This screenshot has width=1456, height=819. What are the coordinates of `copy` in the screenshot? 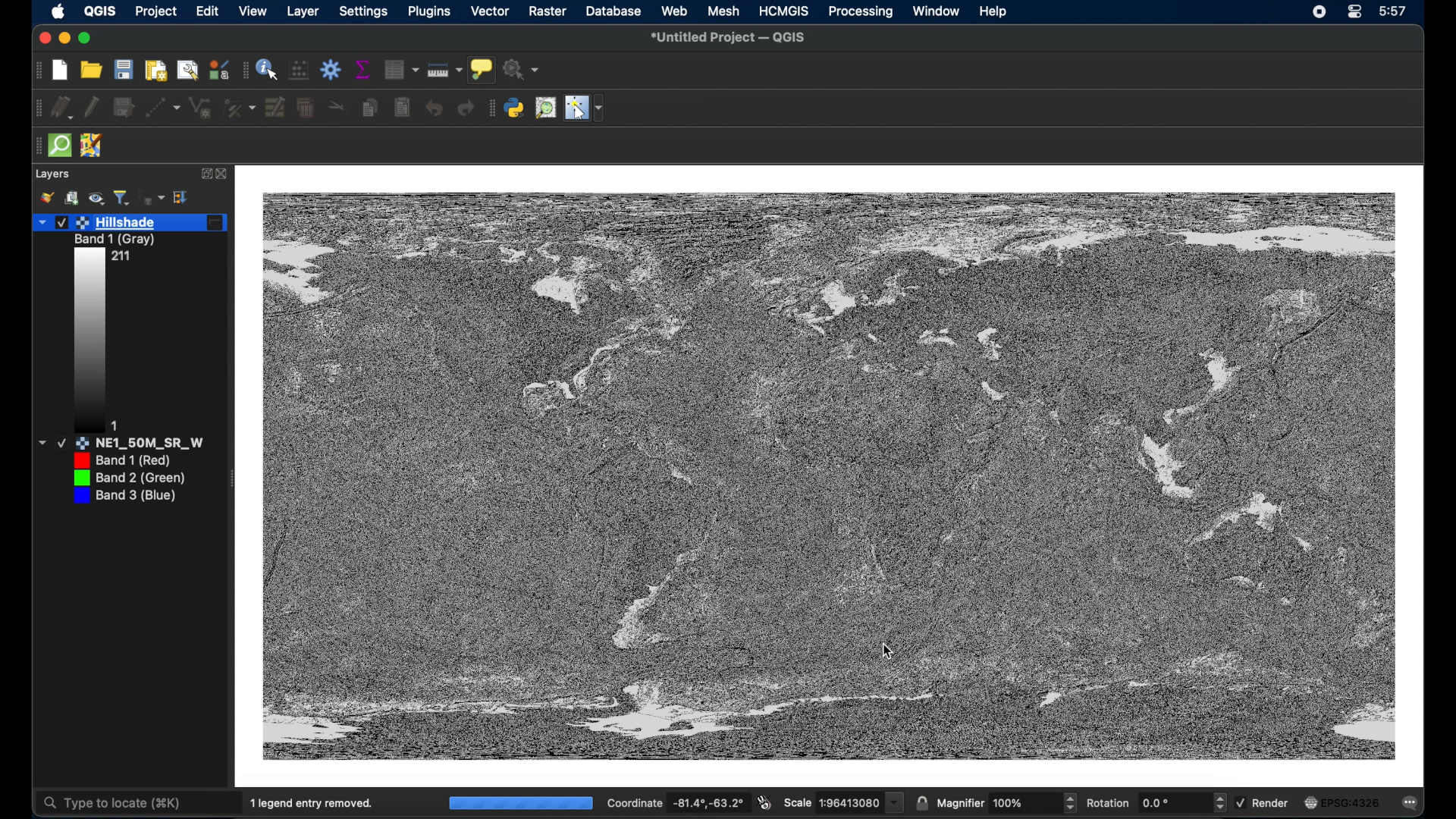 It's located at (369, 108).